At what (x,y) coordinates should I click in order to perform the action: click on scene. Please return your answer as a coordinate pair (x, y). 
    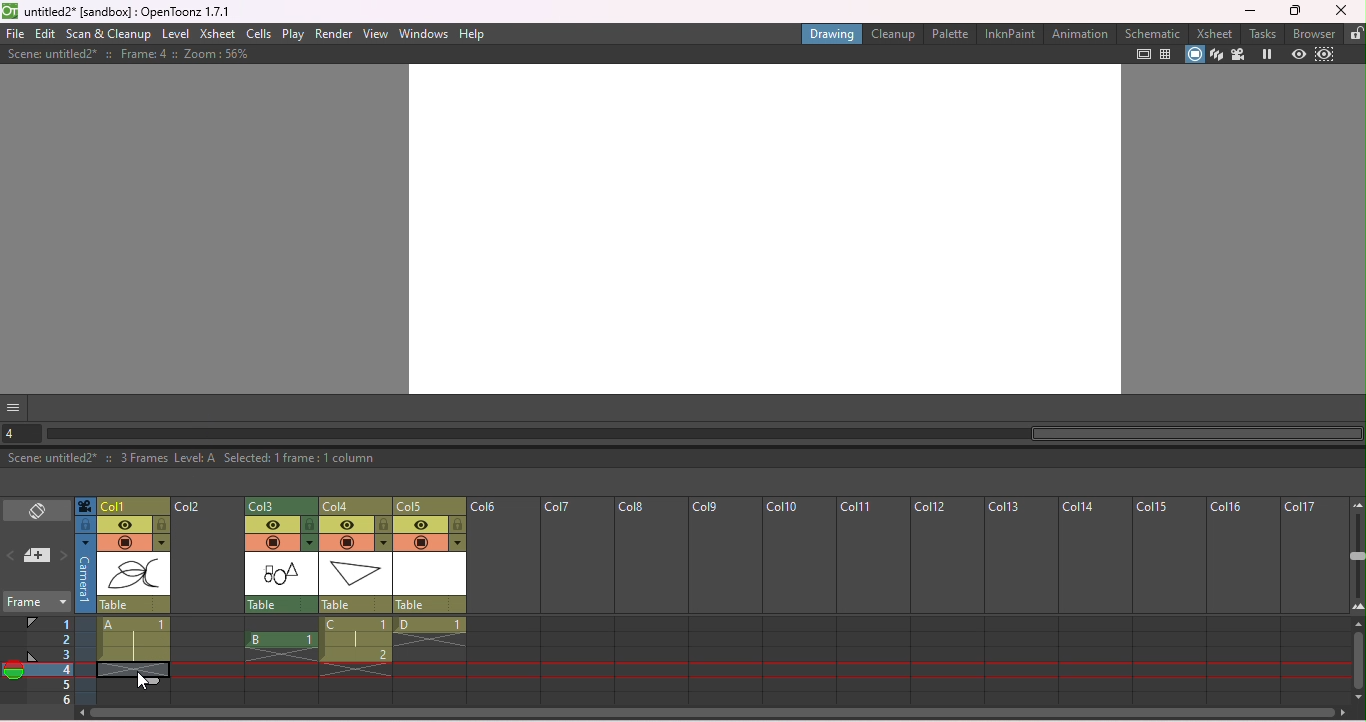
    Looking at the image, I should click on (431, 574).